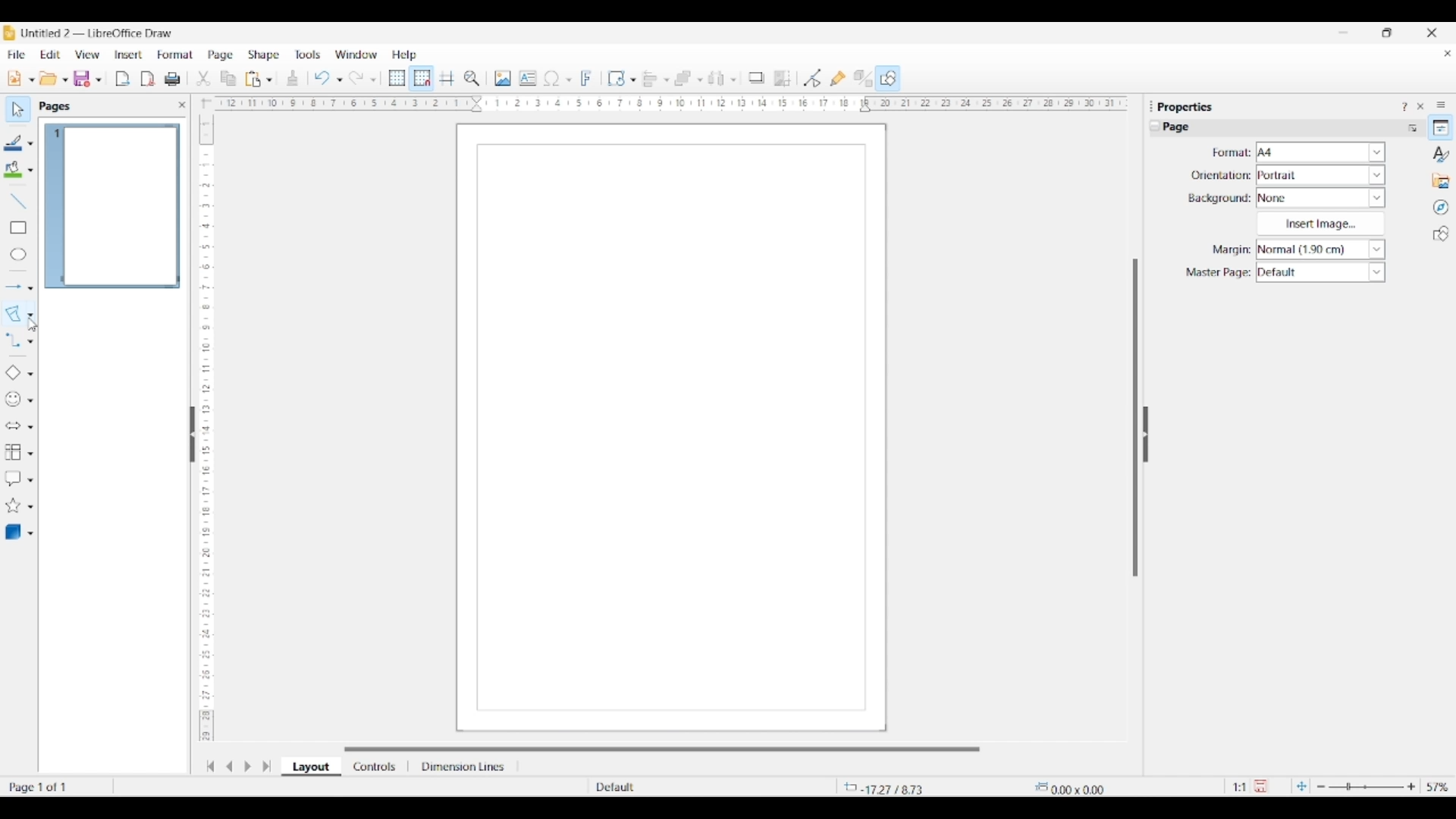 This screenshot has height=819, width=1456. Describe the element at coordinates (123, 79) in the screenshot. I see `Export` at that location.